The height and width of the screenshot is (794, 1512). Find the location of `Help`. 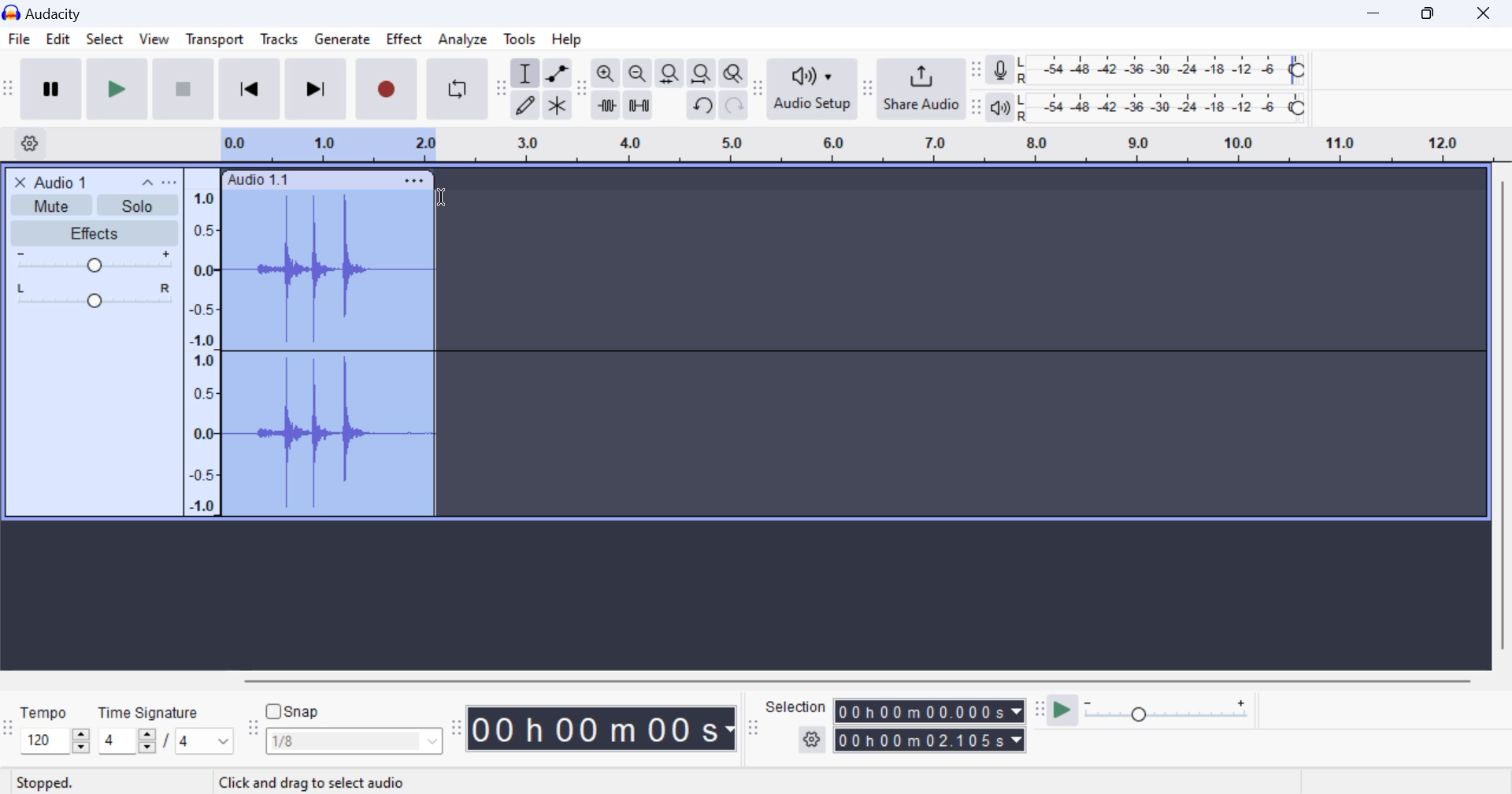

Help is located at coordinates (570, 39).